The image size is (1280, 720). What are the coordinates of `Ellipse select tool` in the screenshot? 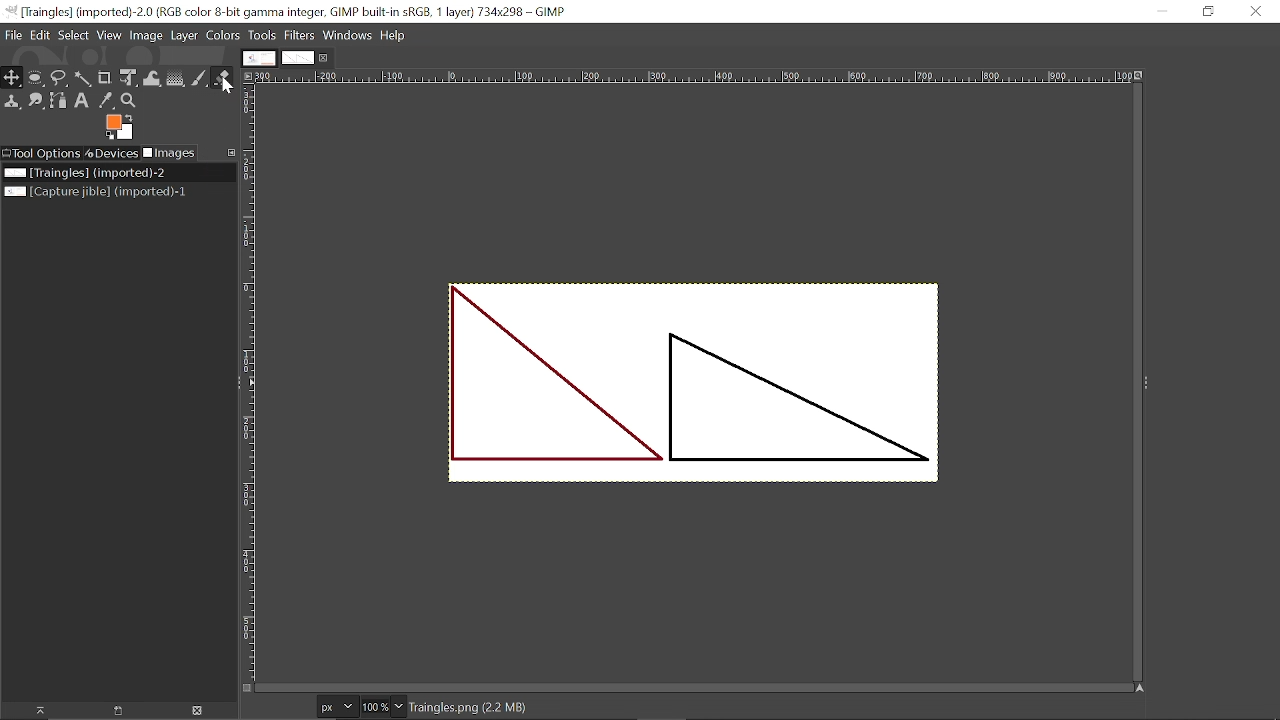 It's located at (35, 78).